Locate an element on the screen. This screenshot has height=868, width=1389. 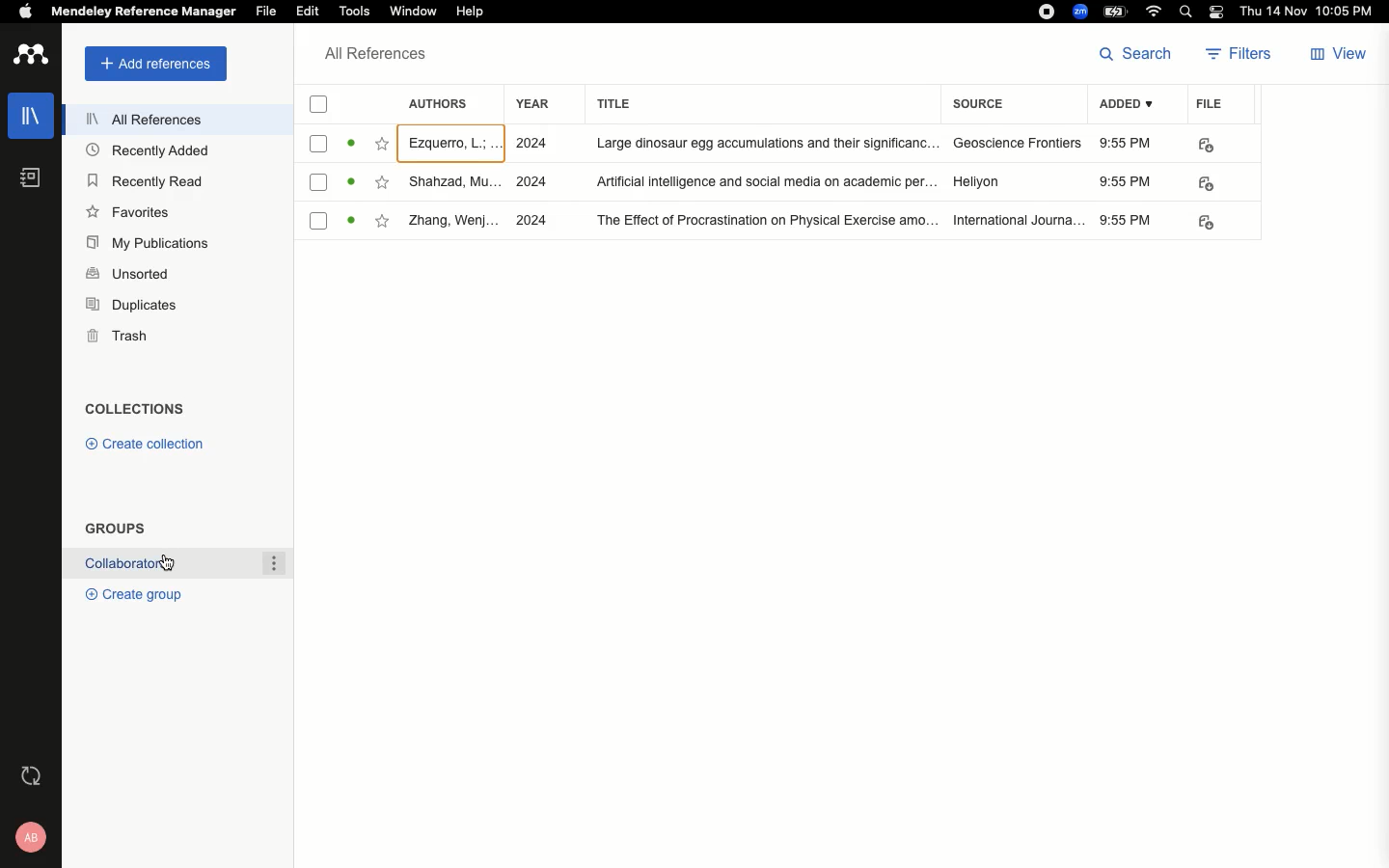
cursor is located at coordinates (167, 565).